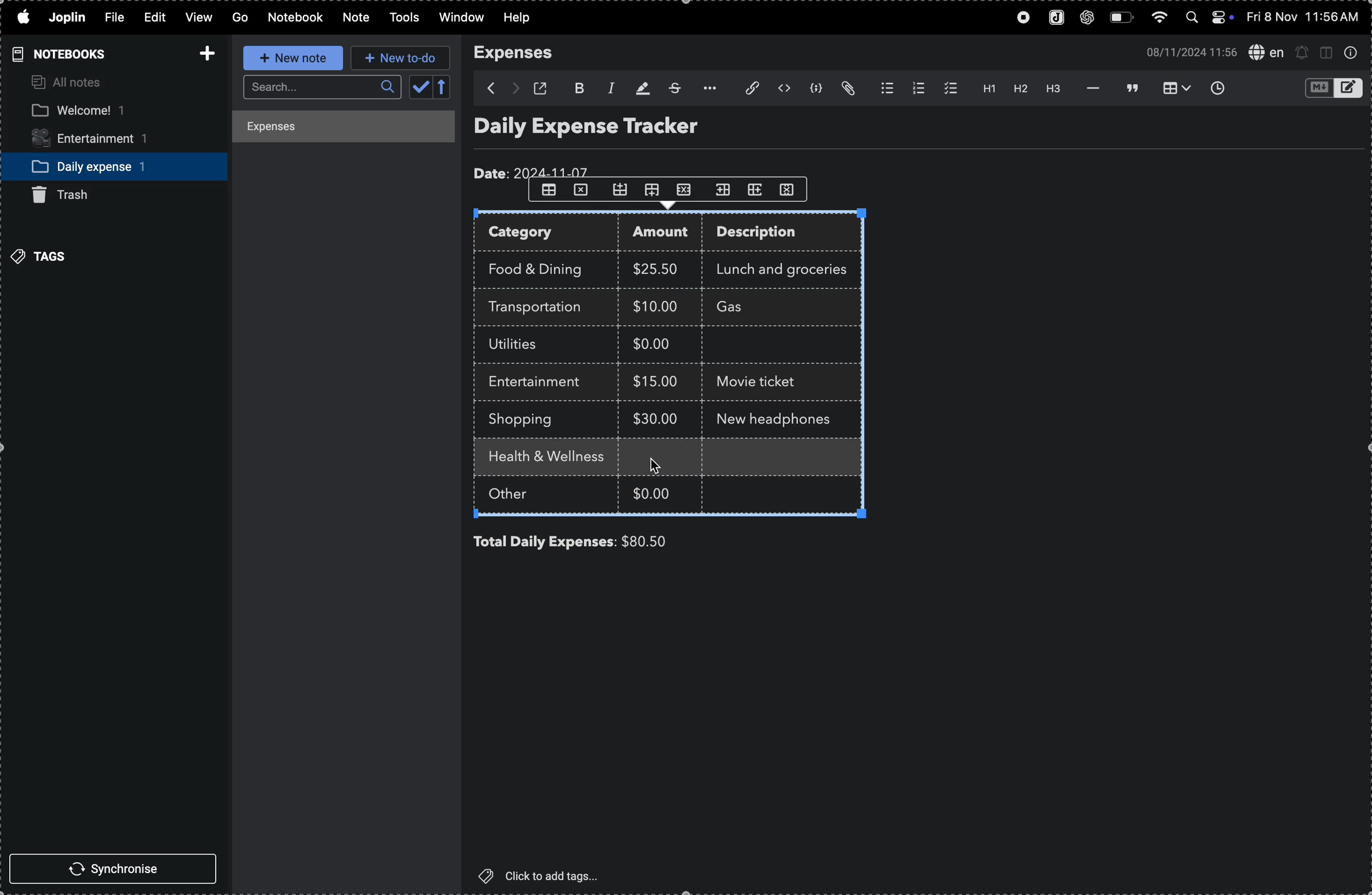 This screenshot has width=1372, height=895. What do you see at coordinates (655, 419) in the screenshot?
I see `$30.00` at bounding box center [655, 419].